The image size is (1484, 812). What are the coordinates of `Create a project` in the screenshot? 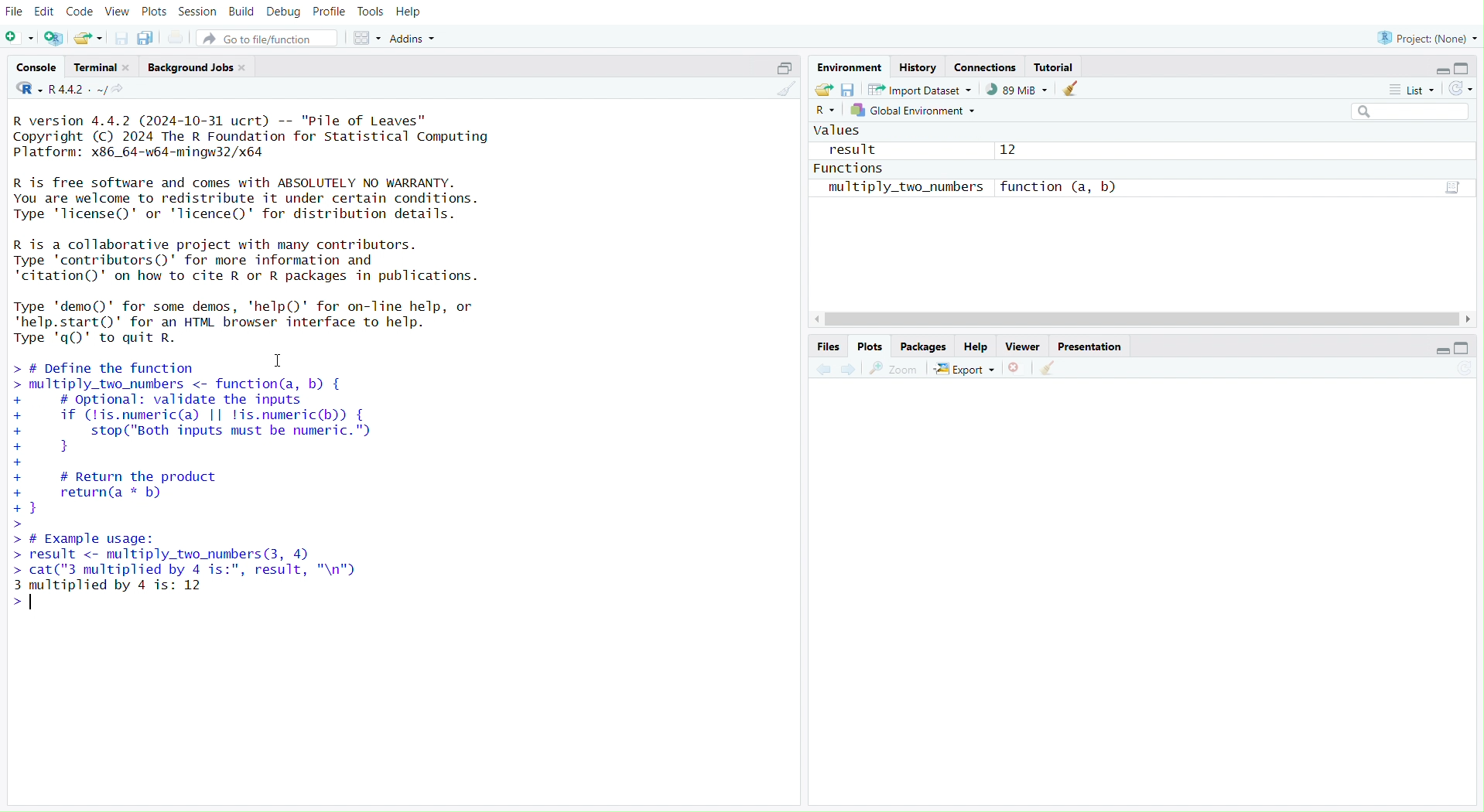 It's located at (55, 35).